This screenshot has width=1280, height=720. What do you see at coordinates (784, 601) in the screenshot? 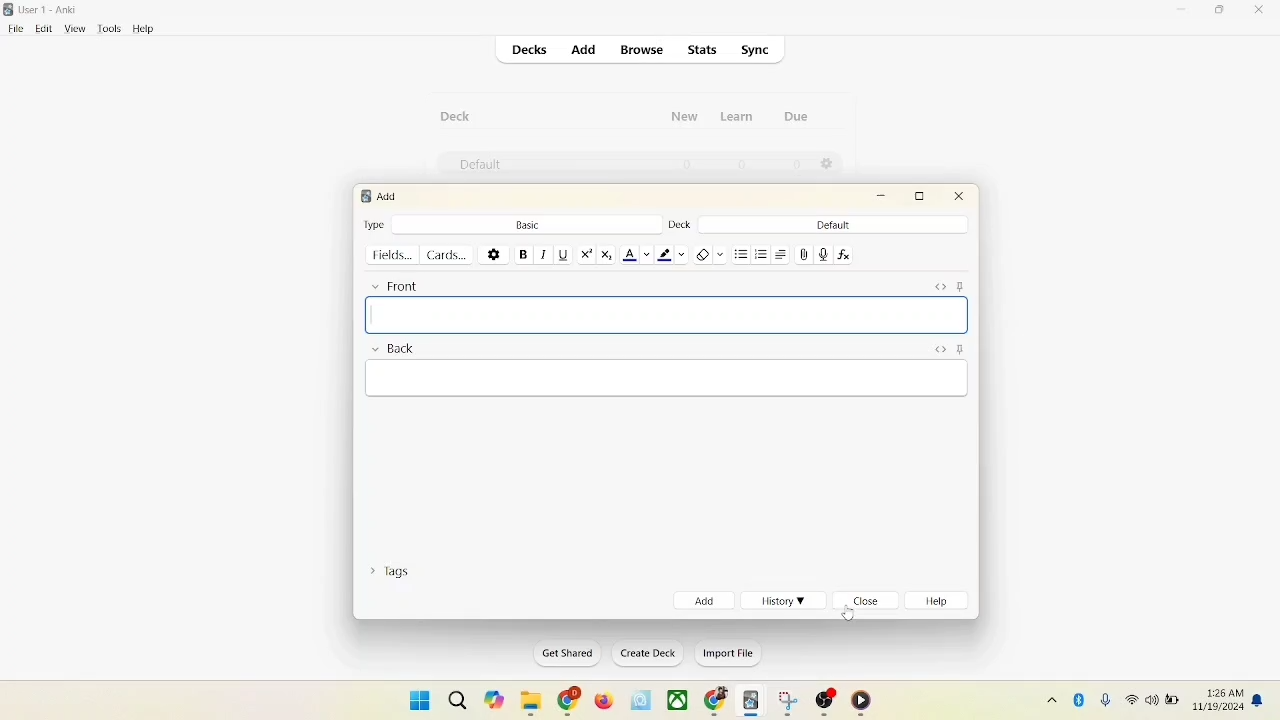
I see `history` at bounding box center [784, 601].